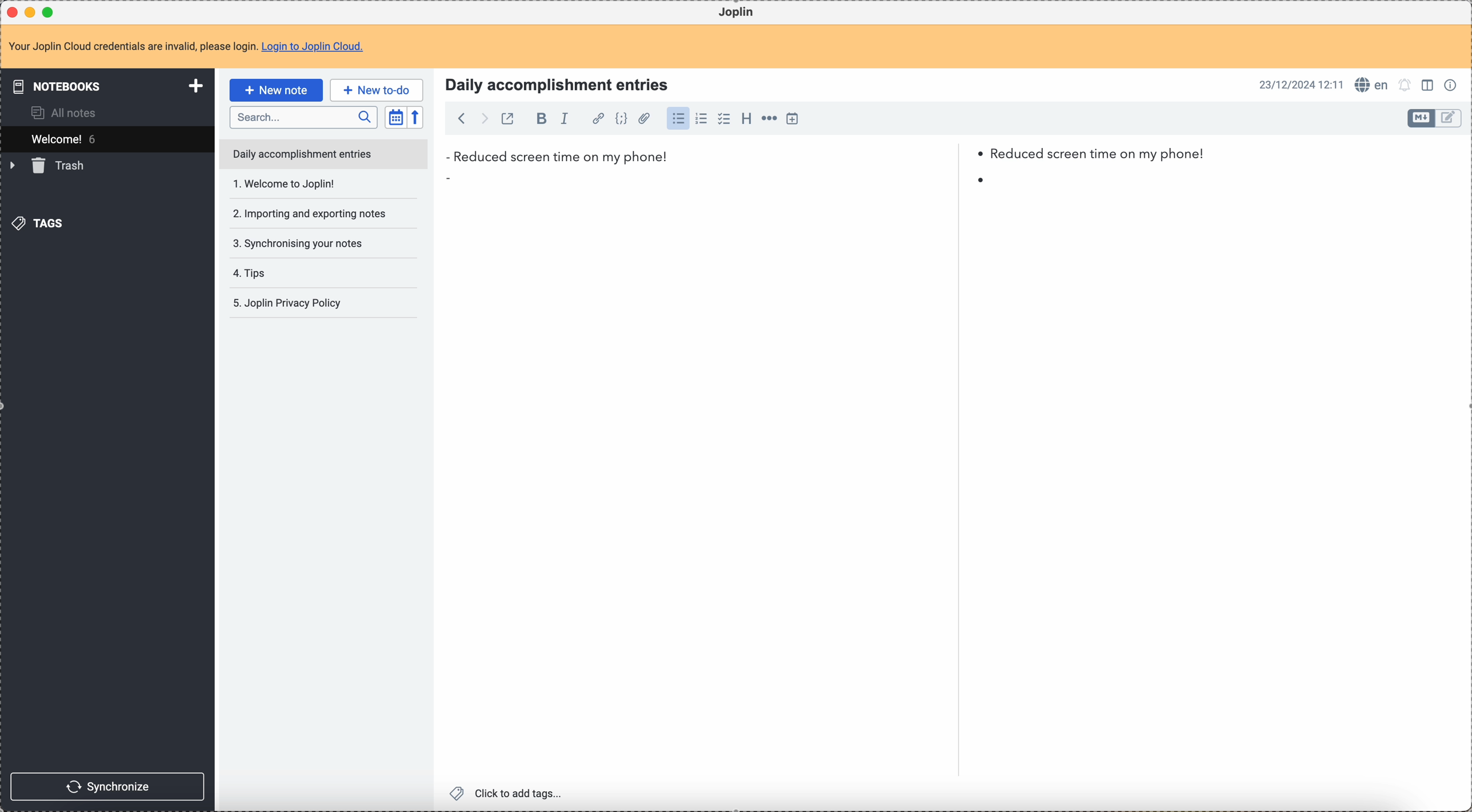 This screenshot has width=1472, height=812. Describe the element at coordinates (1406, 86) in the screenshot. I see `set notifications` at that location.